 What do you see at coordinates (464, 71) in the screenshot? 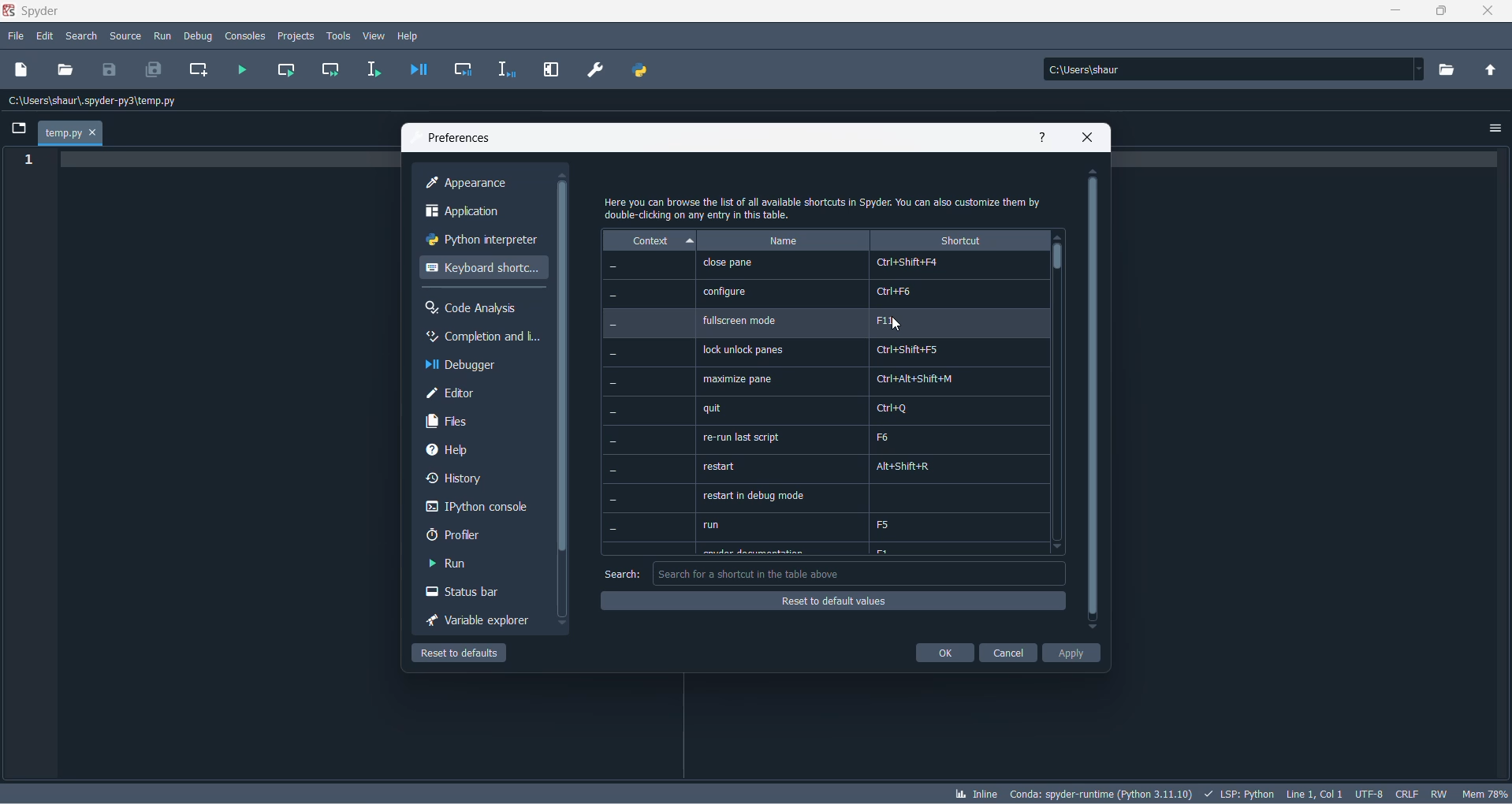
I see `debug cell` at bounding box center [464, 71].